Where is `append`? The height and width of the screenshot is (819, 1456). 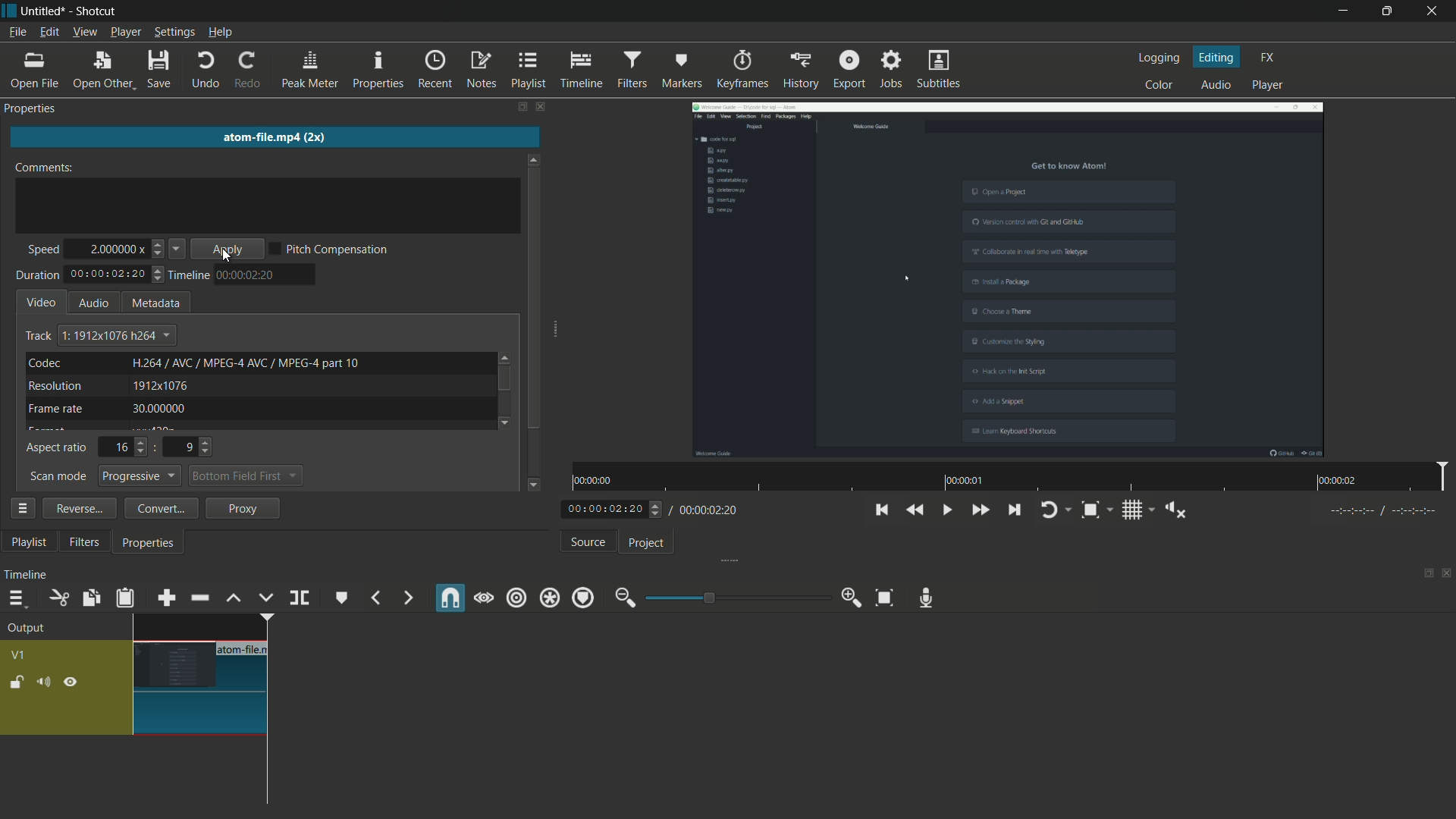 append is located at coordinates (165, 598).